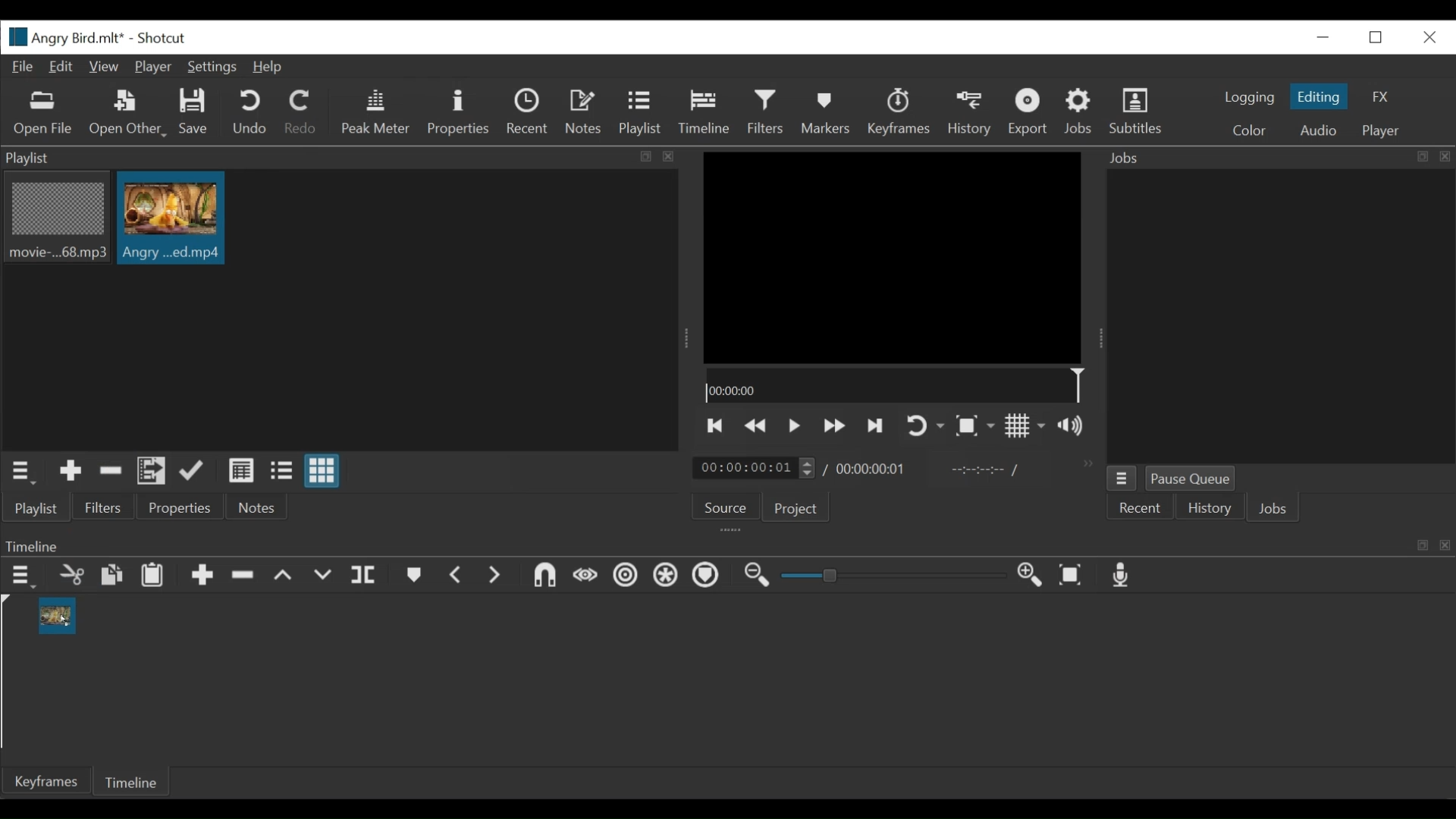  I want to click on Notes, so click(253, 507).